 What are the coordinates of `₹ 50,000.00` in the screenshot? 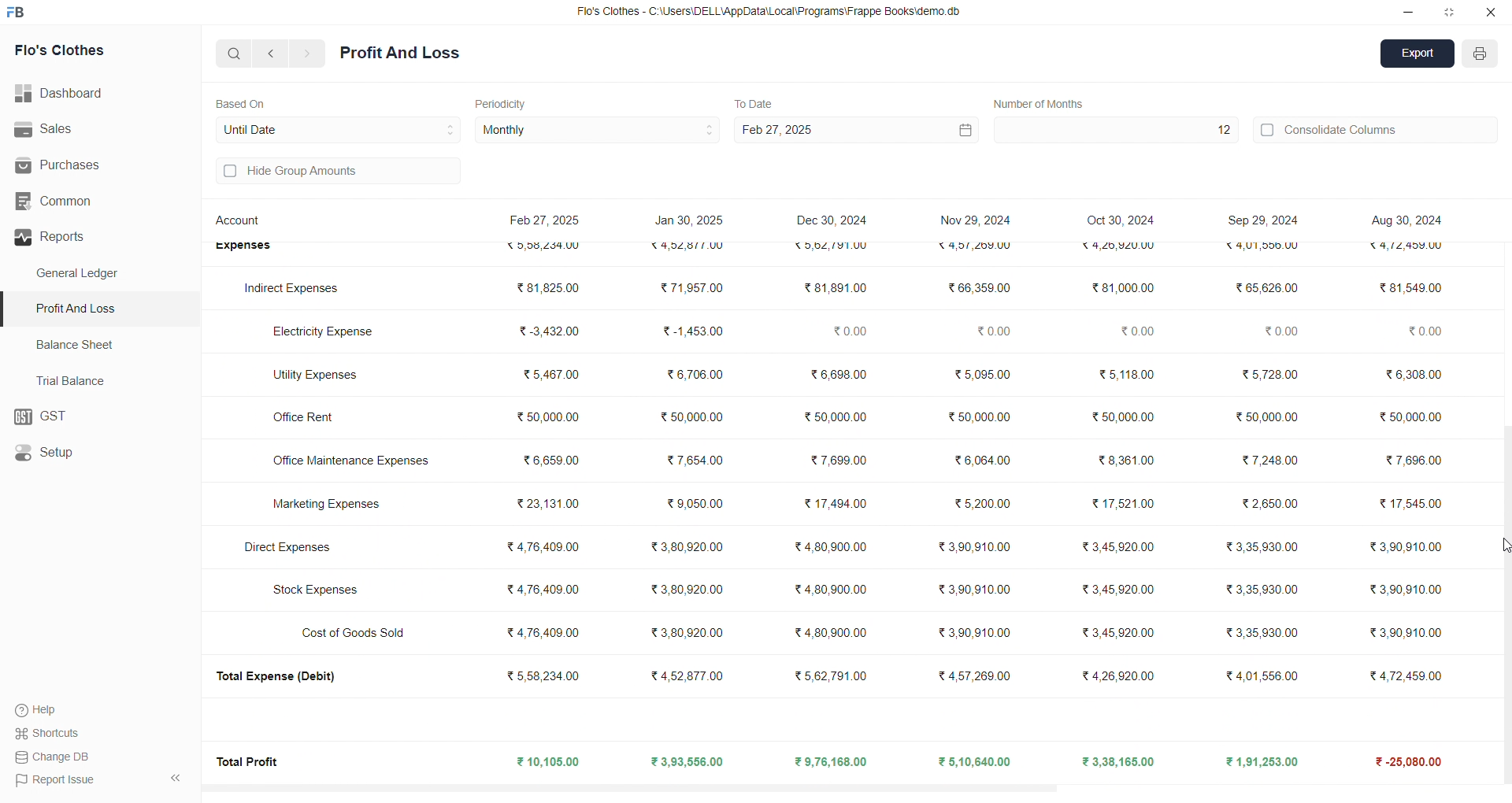 It's located at (1266, 414).